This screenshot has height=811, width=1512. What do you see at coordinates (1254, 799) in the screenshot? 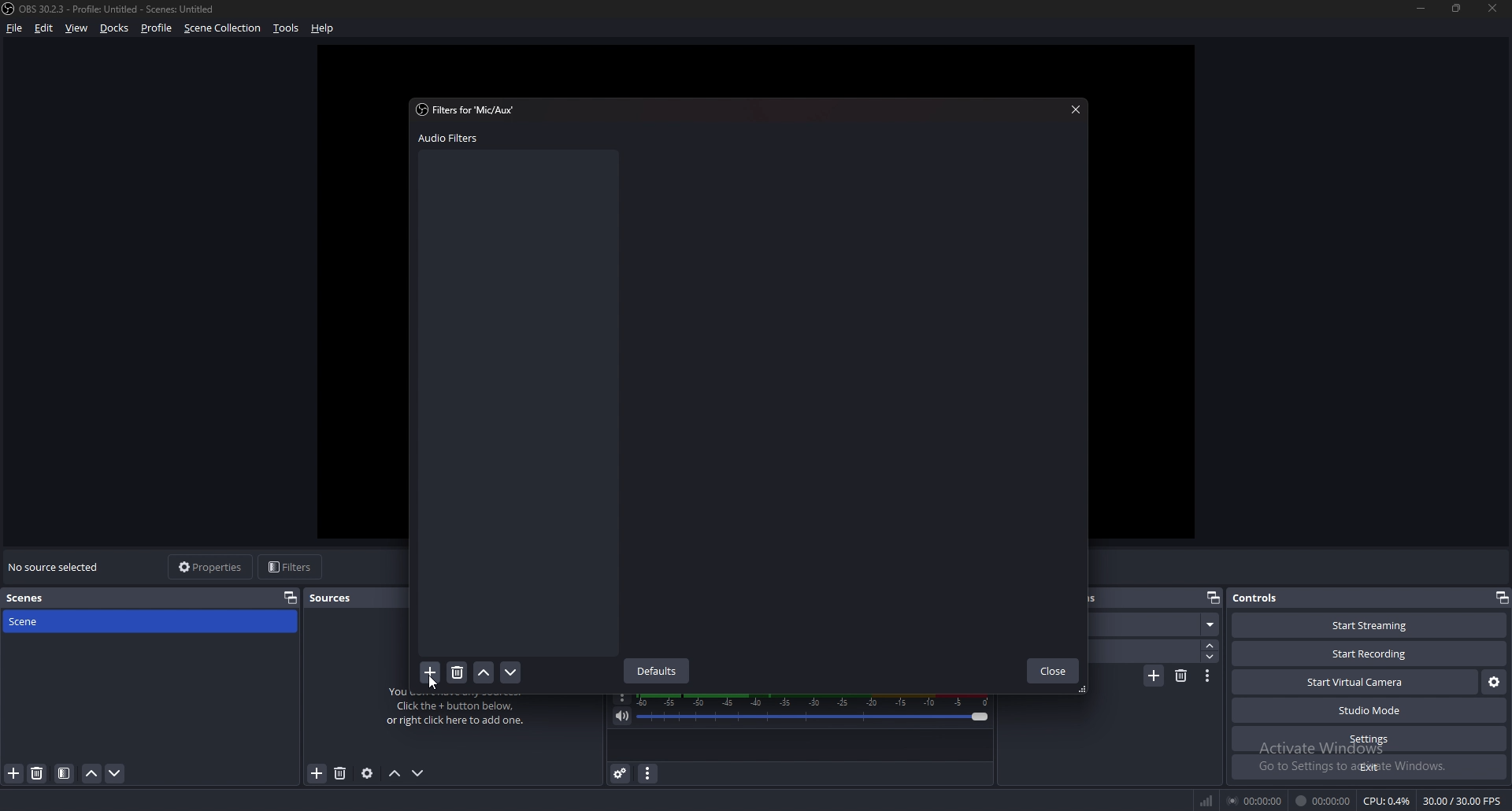
I see `00:00:00` at bounding box center [1254, 799].